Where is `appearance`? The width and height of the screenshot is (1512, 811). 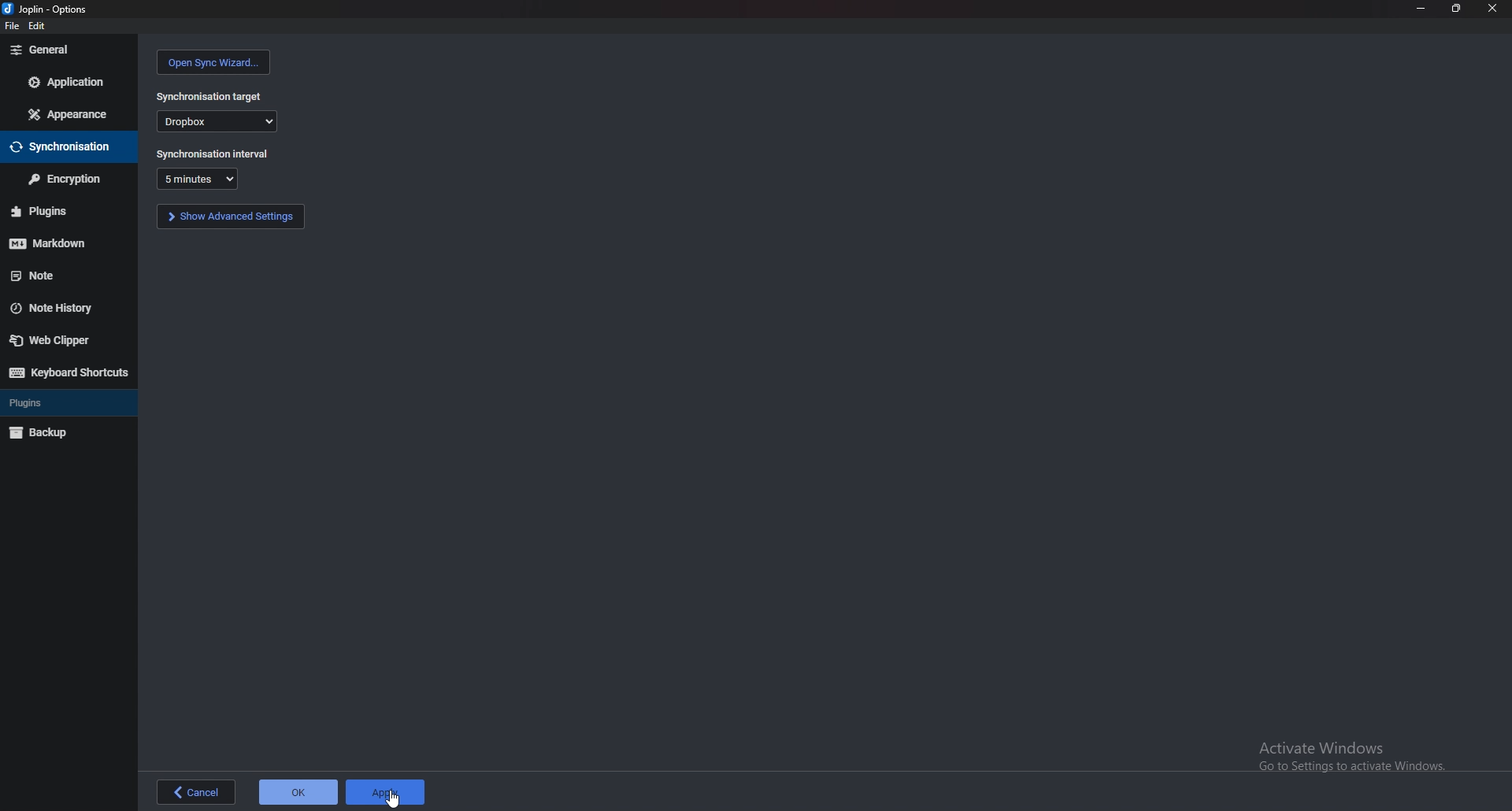
appearance is located at coordinates (69, 116).